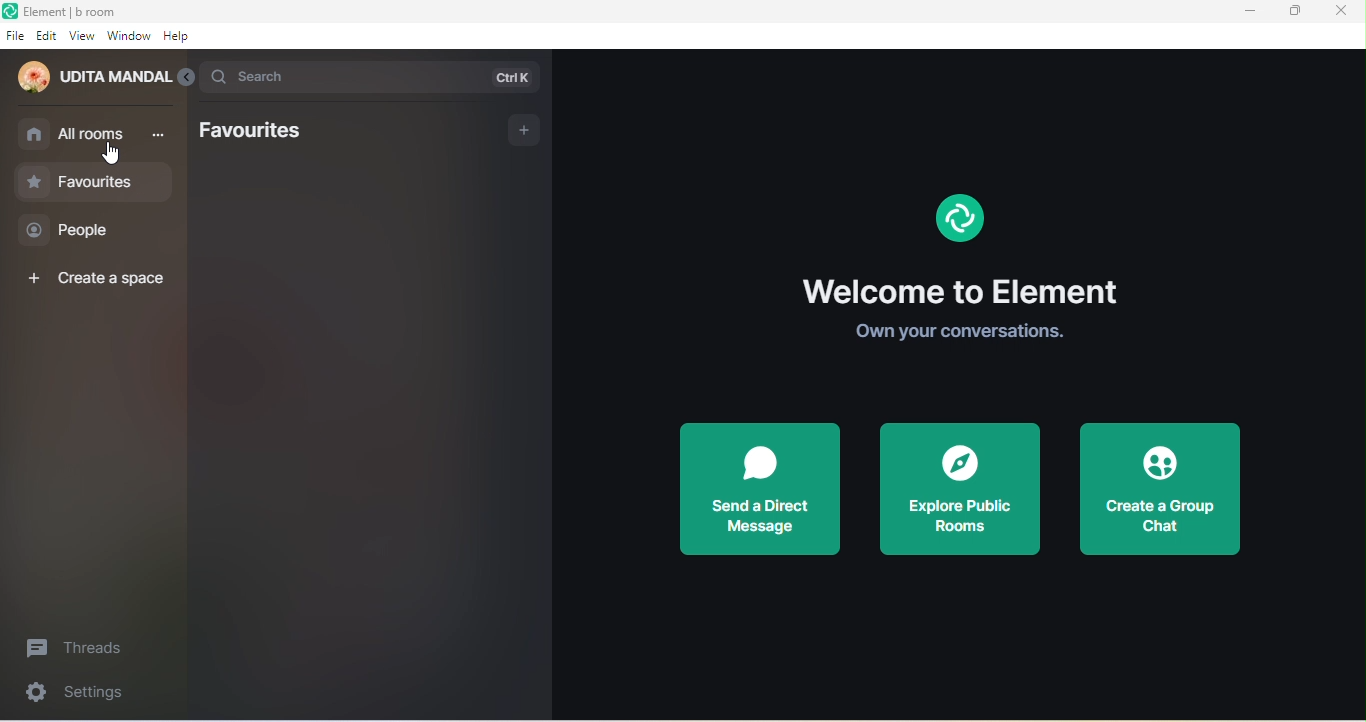 This screenshot has height=722, width=1366. What do you see at coordinates (94, 134) in the screenshot?
I see `all rooms` at bounding box center [94, 134].